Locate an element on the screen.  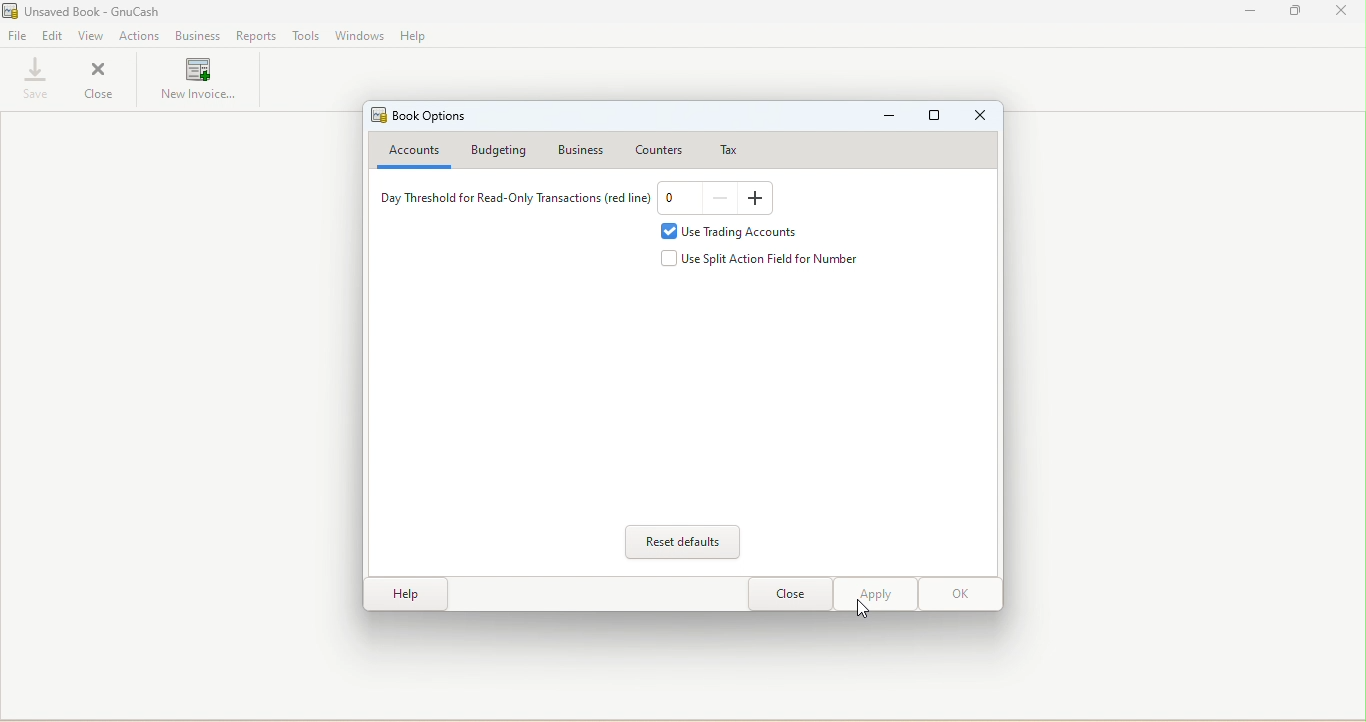
Budgeting is located at coordinates (503, 151).